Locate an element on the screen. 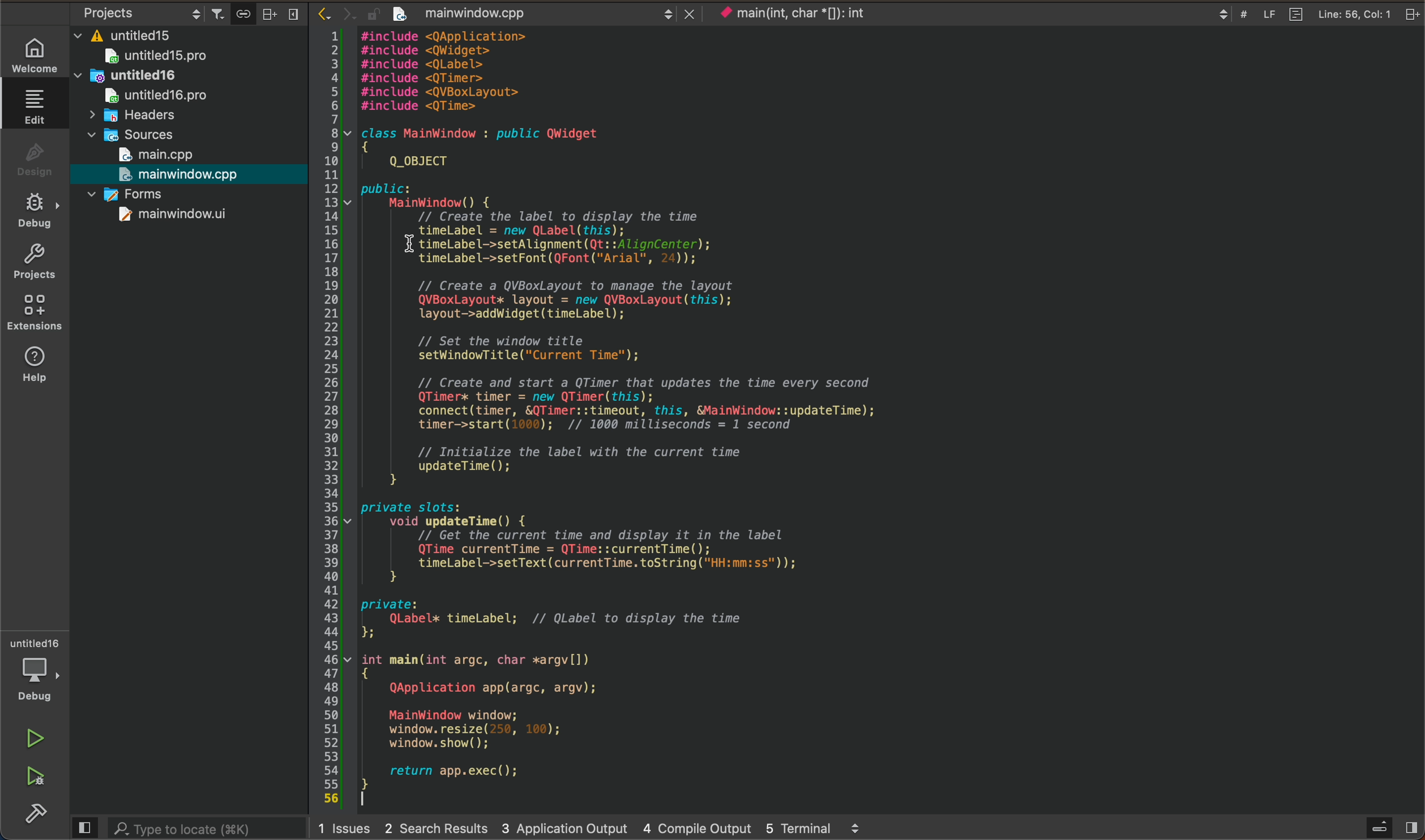 This screenshot has width=1425, height=840. untitled15 is located at coordinates (136, 32).